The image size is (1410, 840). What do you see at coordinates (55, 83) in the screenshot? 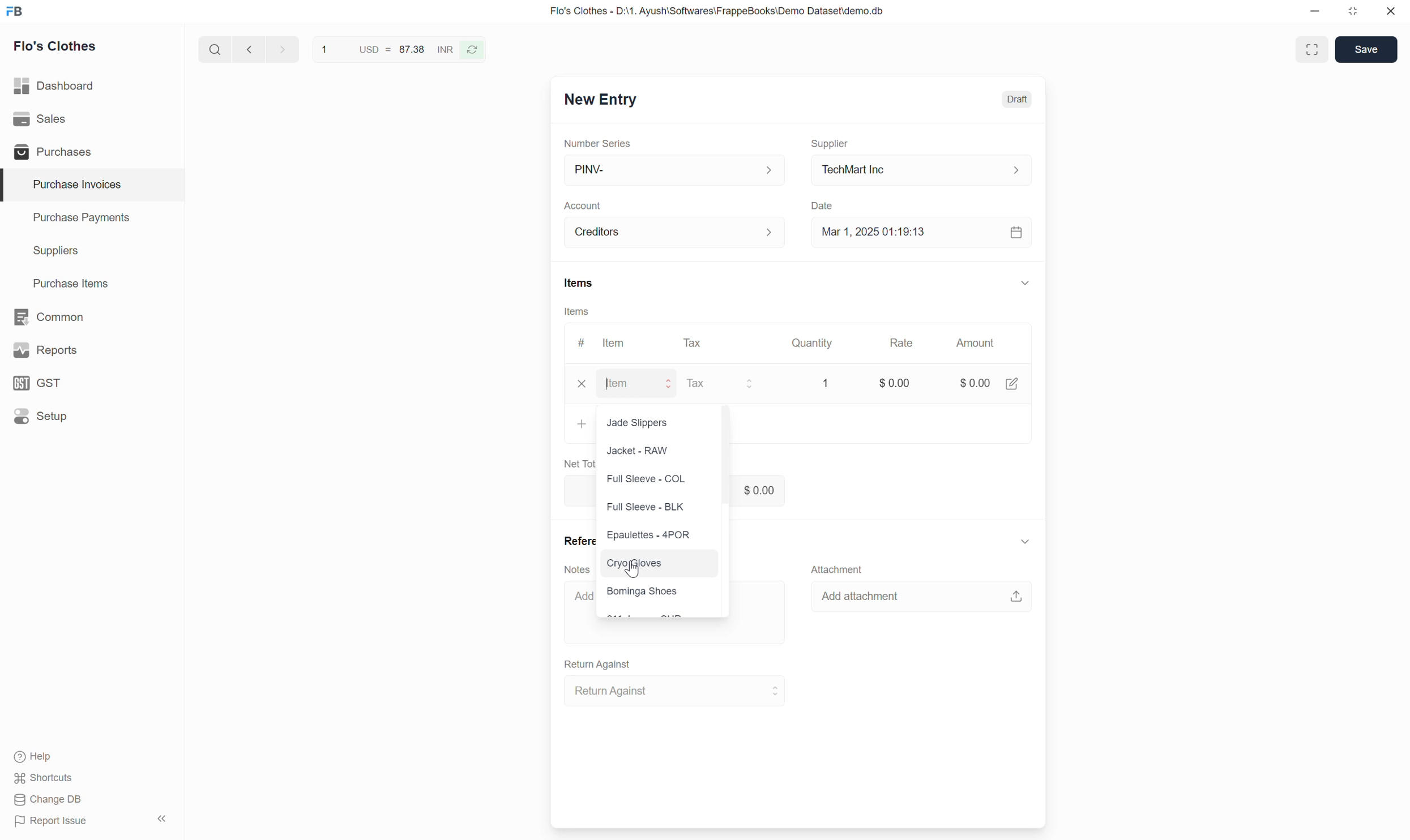
I see `Dashboard` at bounding box center [55, 83].